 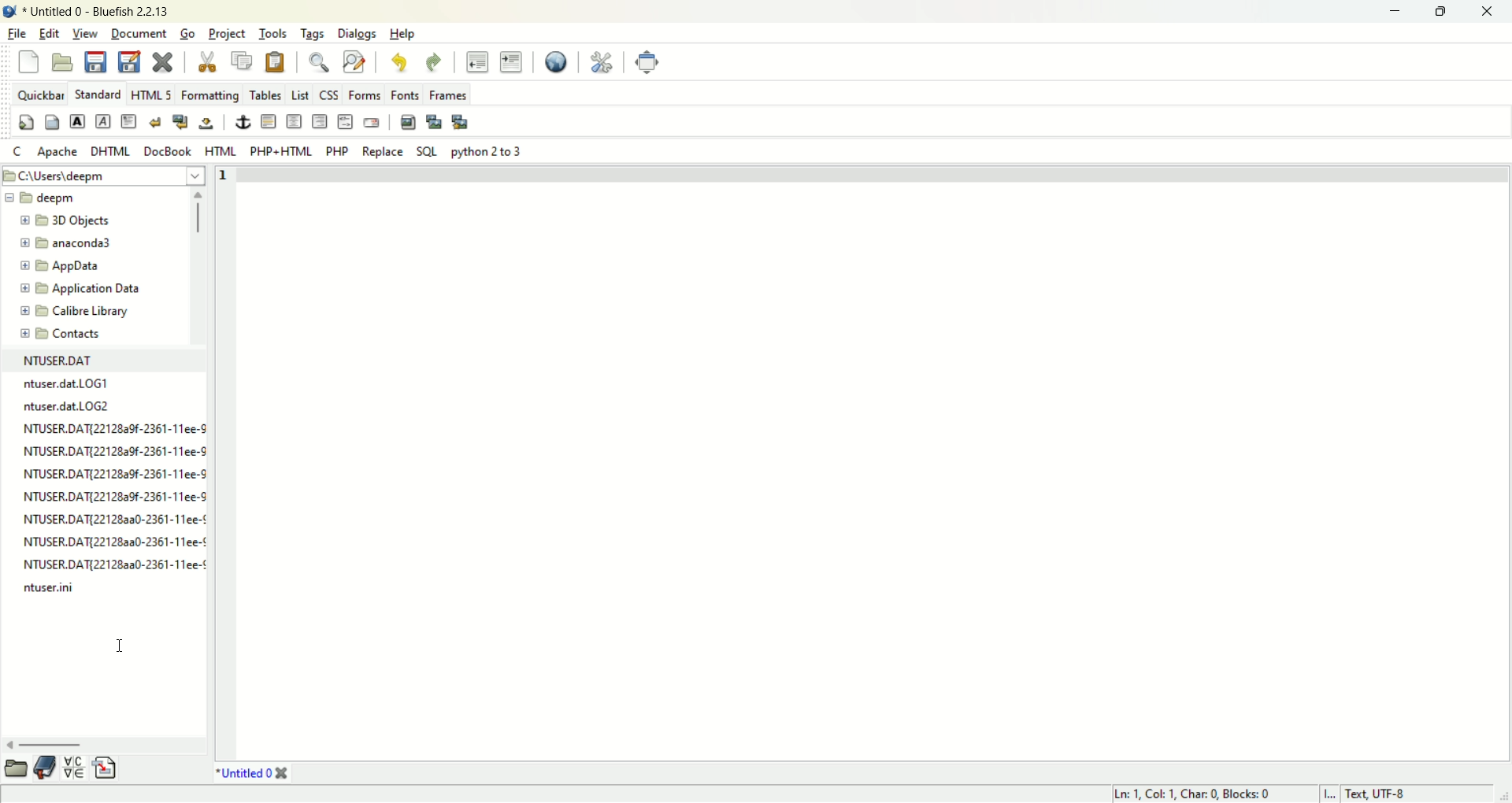 I want to click on scroll bar, so click(x=197, y=268).